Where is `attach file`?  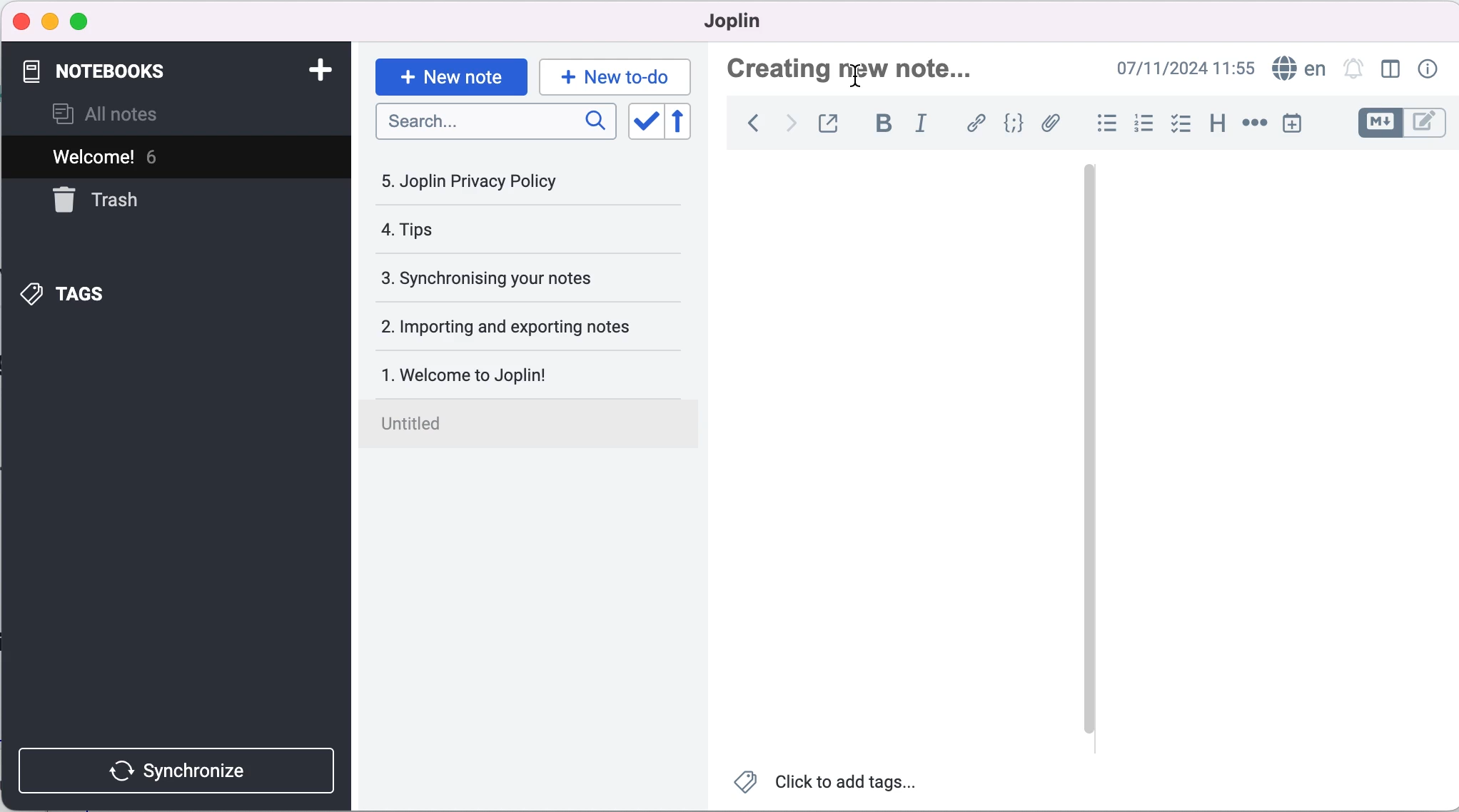
attach file is located at coordinates (1049, 125).